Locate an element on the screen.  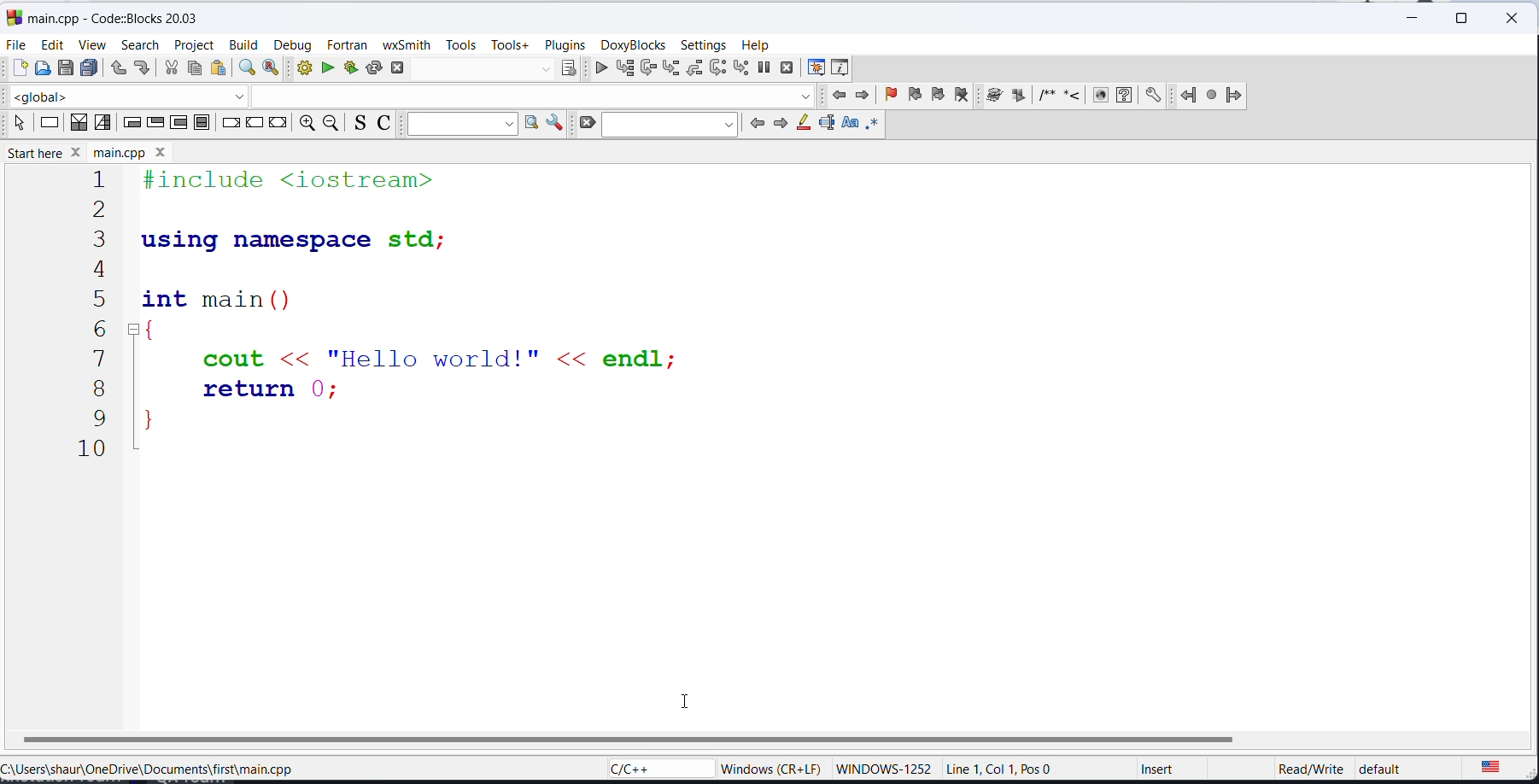
NEXT INSTRUCTION is located at coordinates (719, 69).